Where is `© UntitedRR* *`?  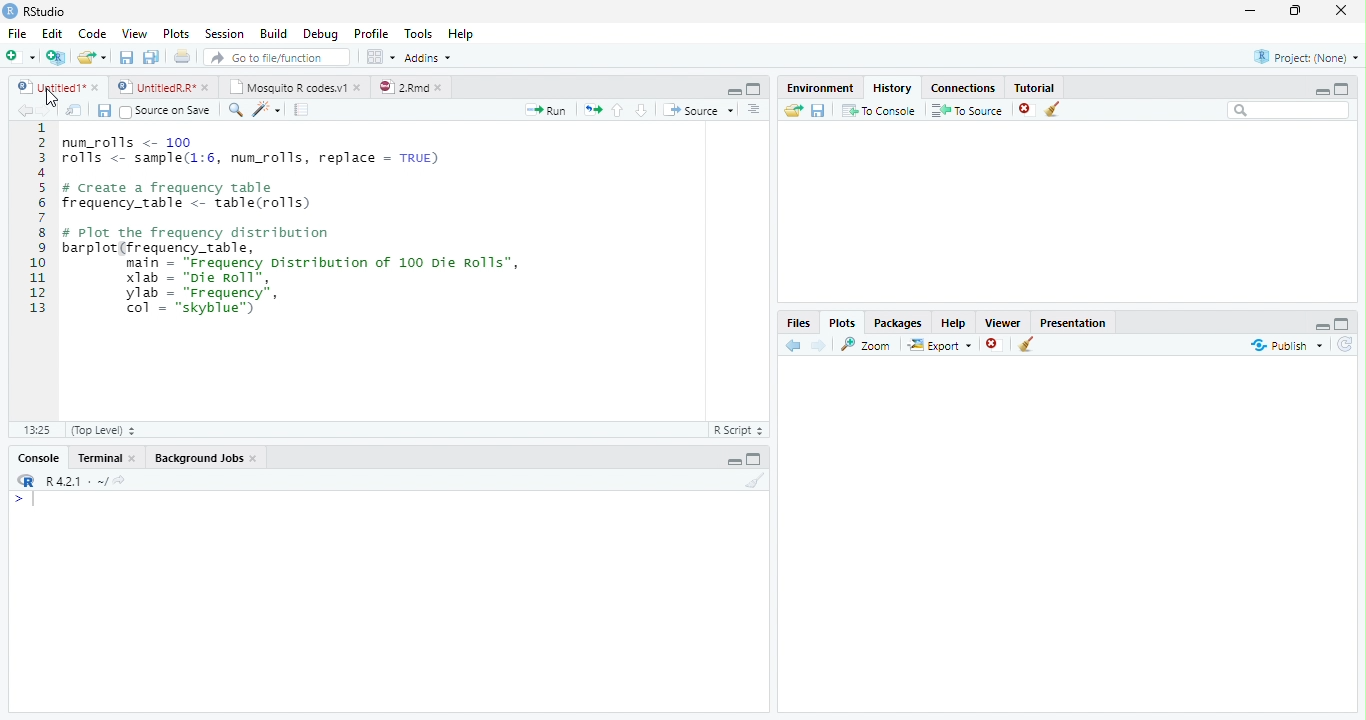
© UntitedRR* * is located at coordinates (165, 87).